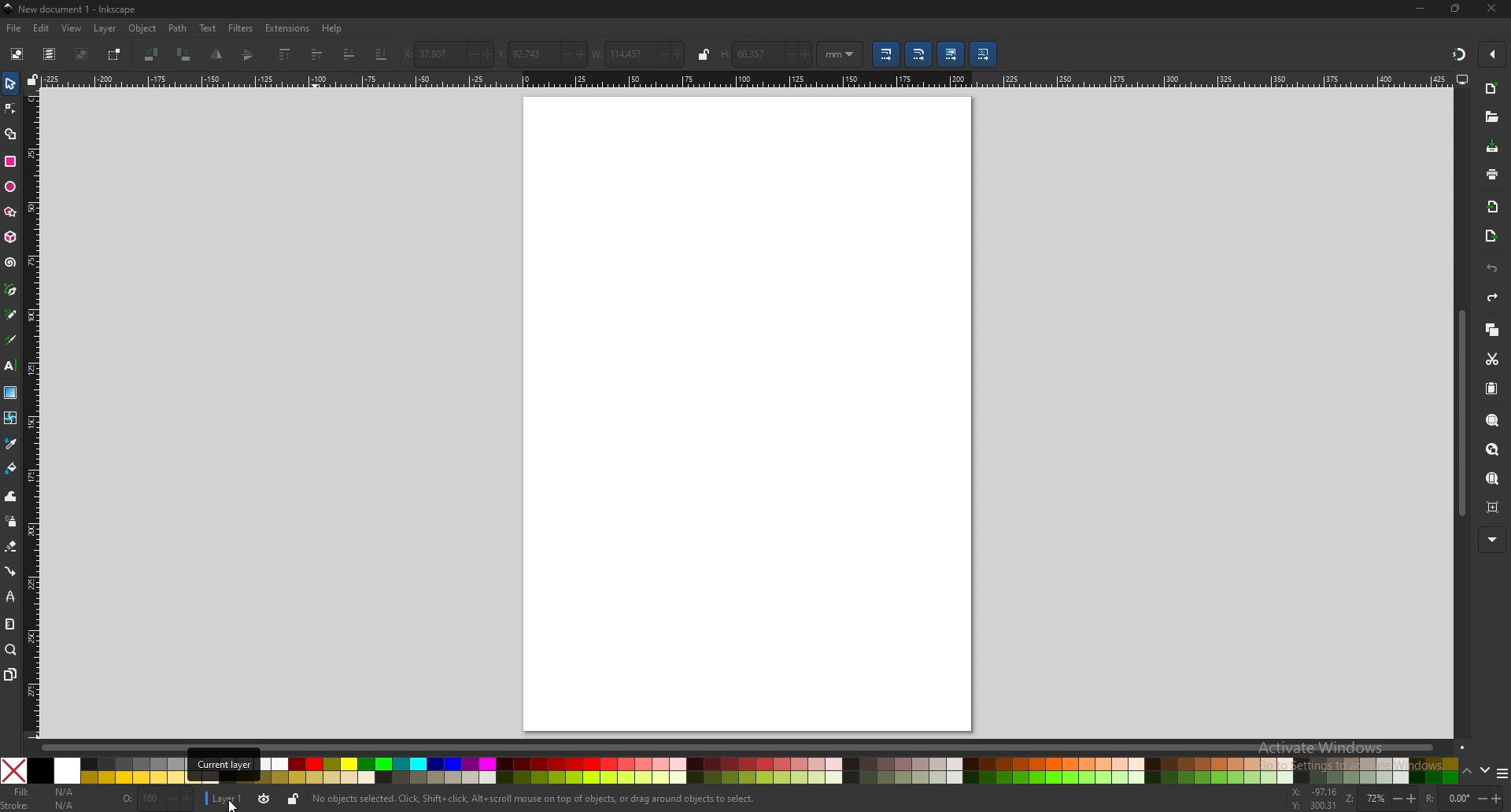 Image resolution: width=1511 pixels, height=812 pixels. I want to click on export, so click(1491, 234).